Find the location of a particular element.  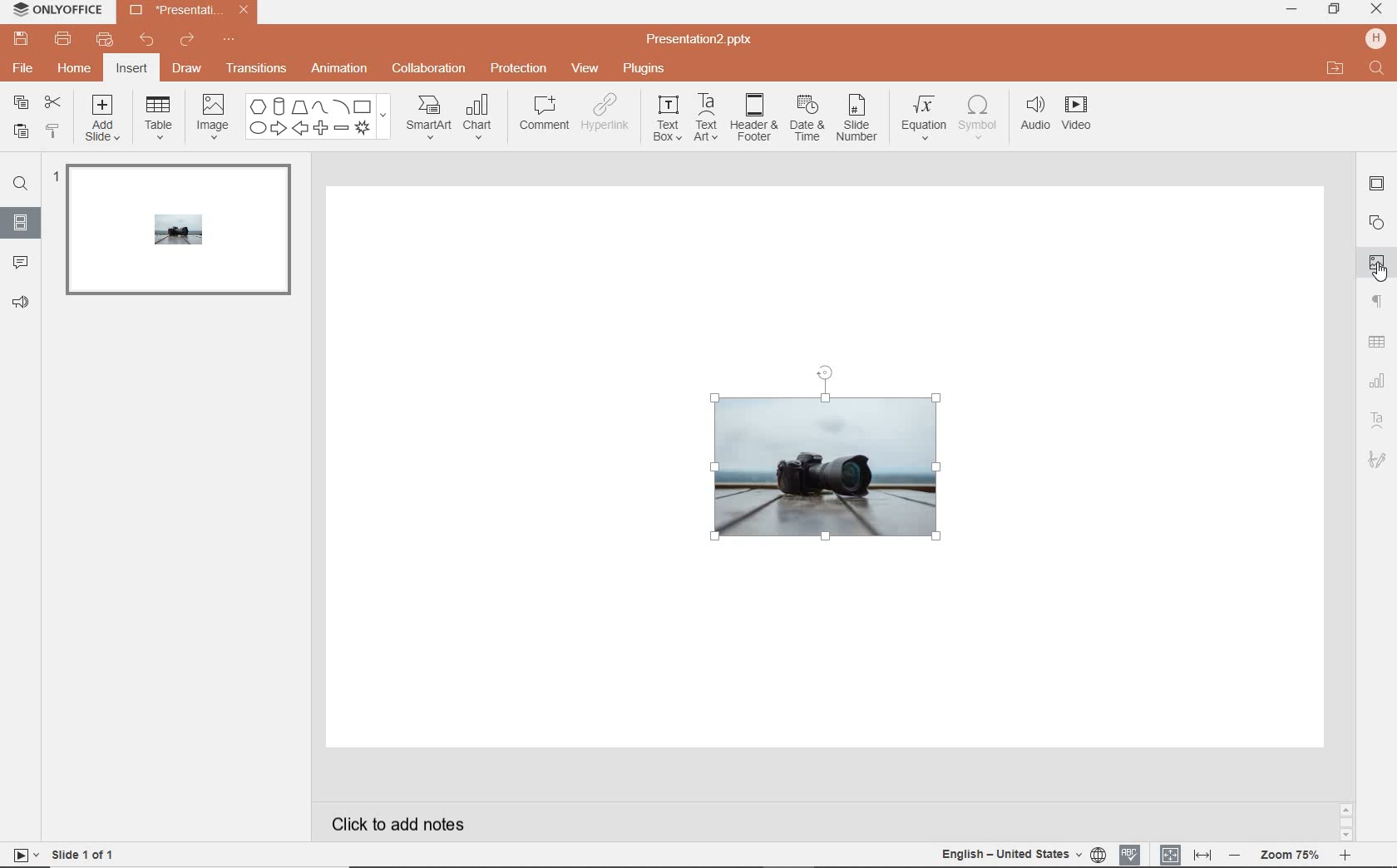

slides is located at coordinates (20, 223).